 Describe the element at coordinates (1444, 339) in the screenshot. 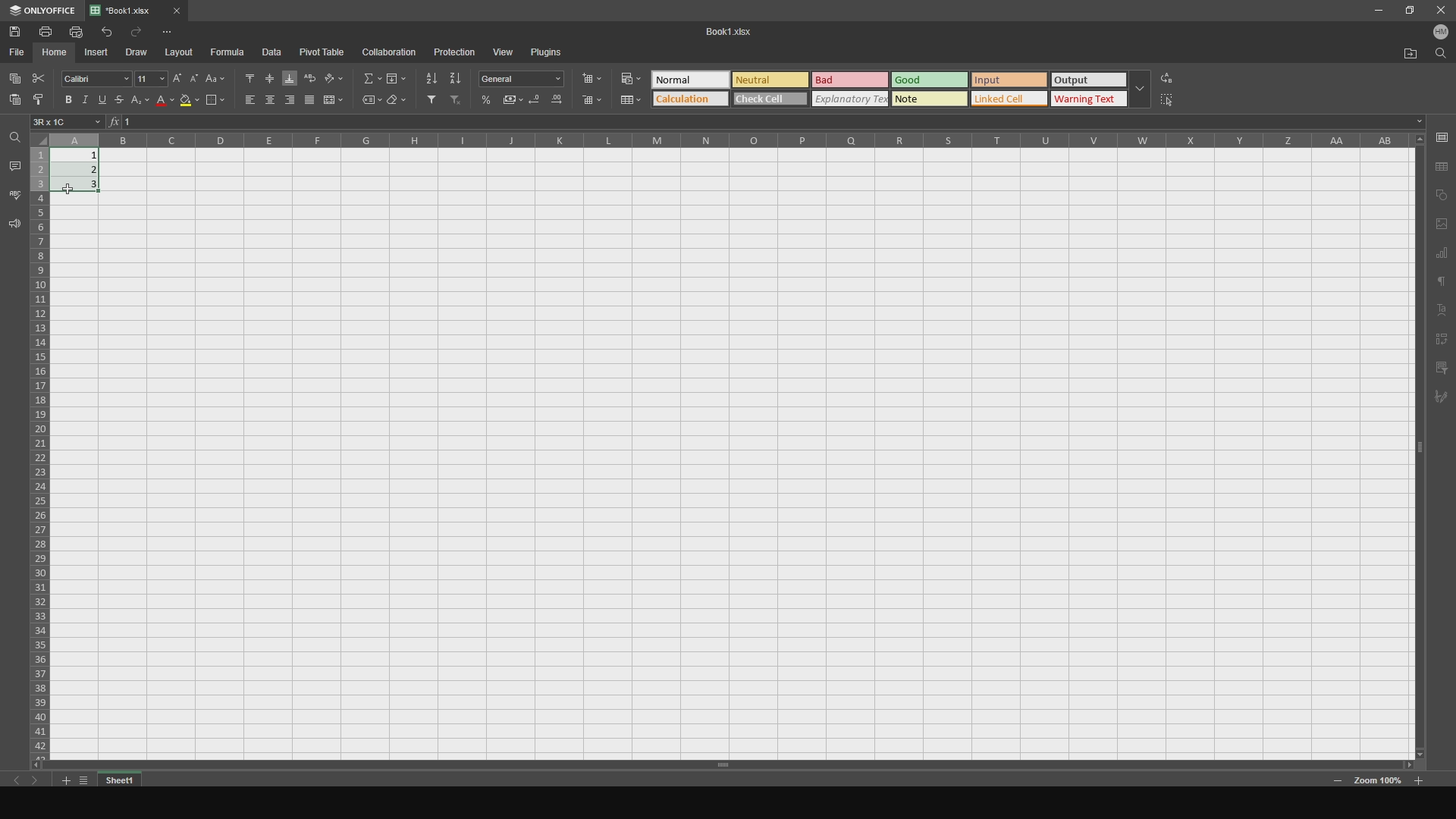

I see `pivot text` at that location.